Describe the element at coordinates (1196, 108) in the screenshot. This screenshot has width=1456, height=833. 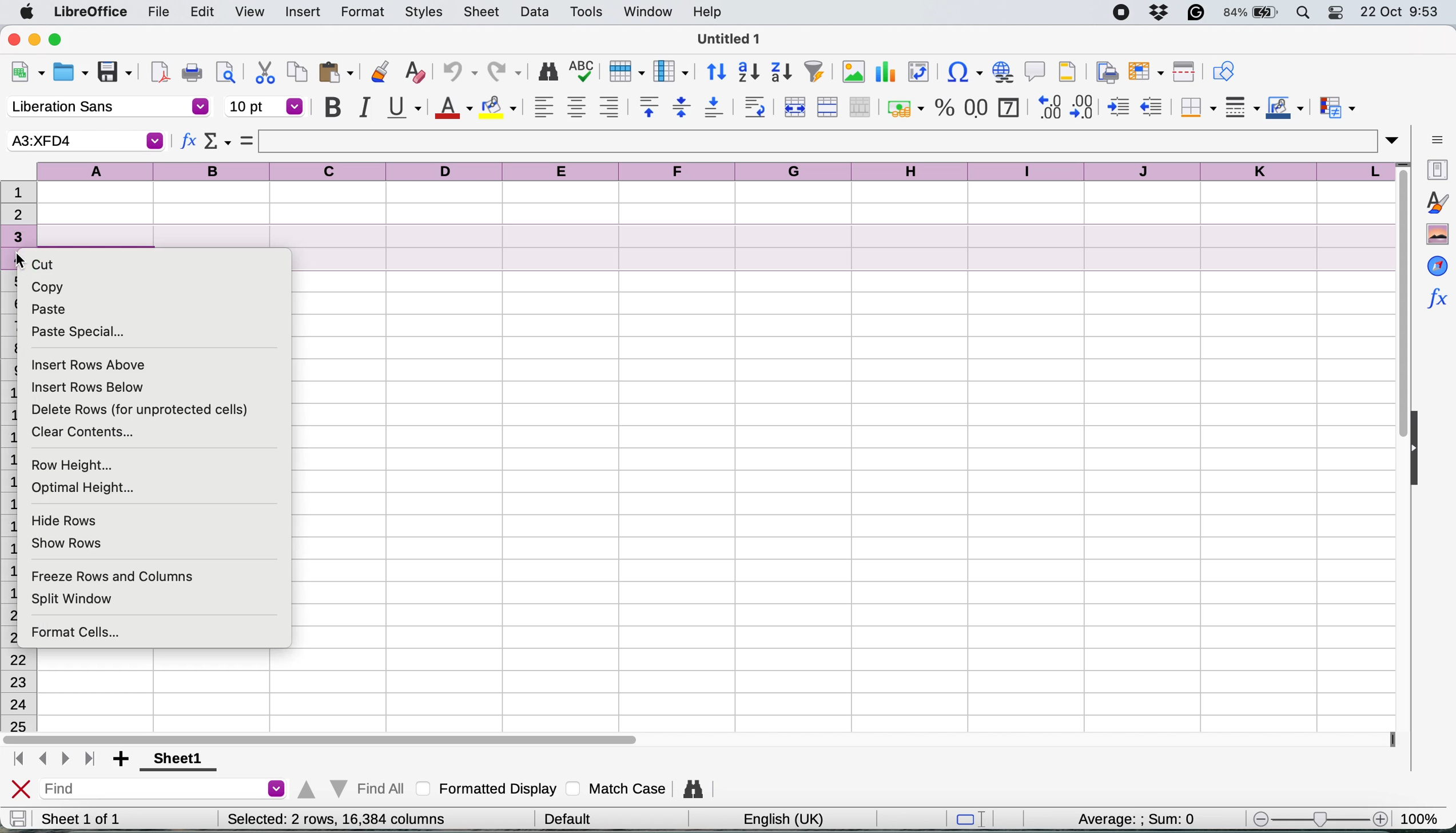
I see `borders` at that location.